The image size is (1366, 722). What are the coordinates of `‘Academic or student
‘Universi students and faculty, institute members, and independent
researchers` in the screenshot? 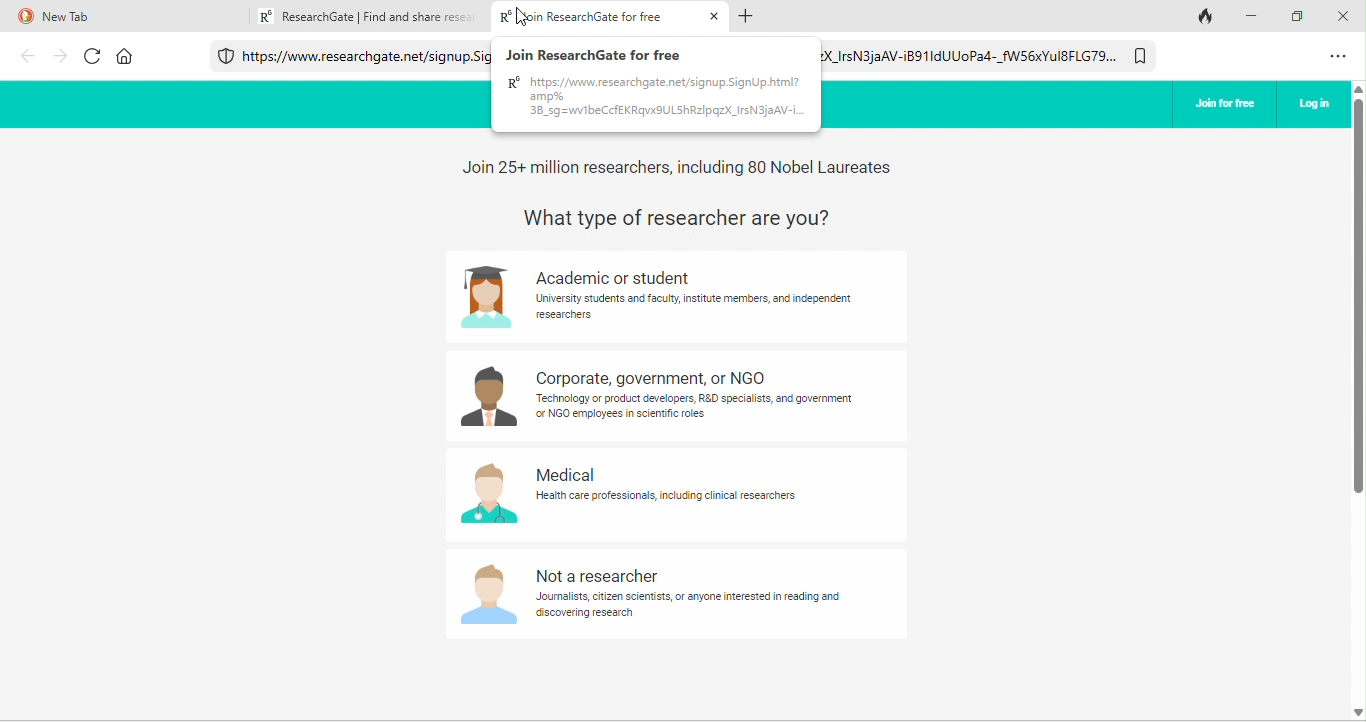 It's located at (692, 295).